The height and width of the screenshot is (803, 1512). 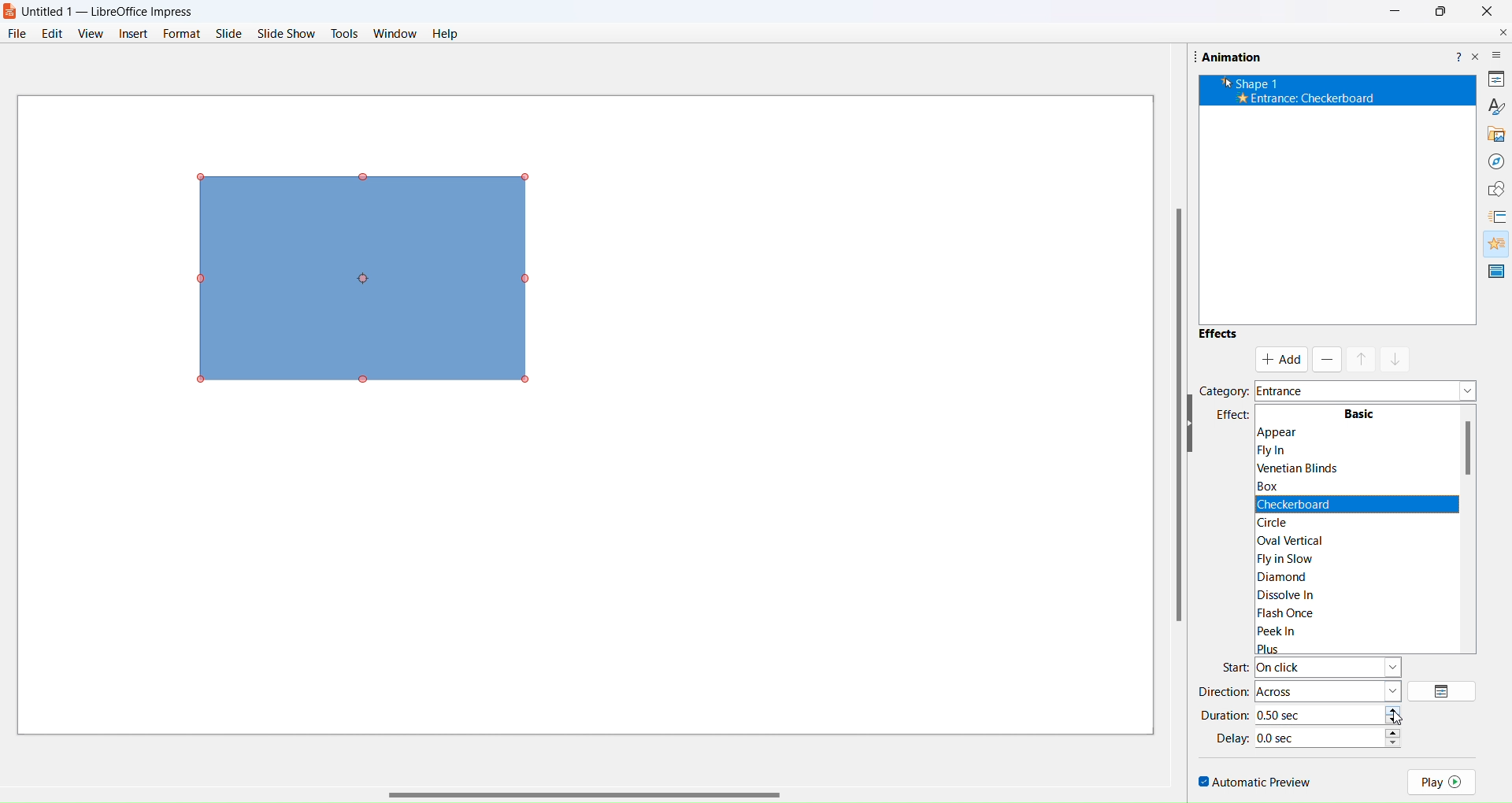 I want to click on add, so click(x=1282, y=360).